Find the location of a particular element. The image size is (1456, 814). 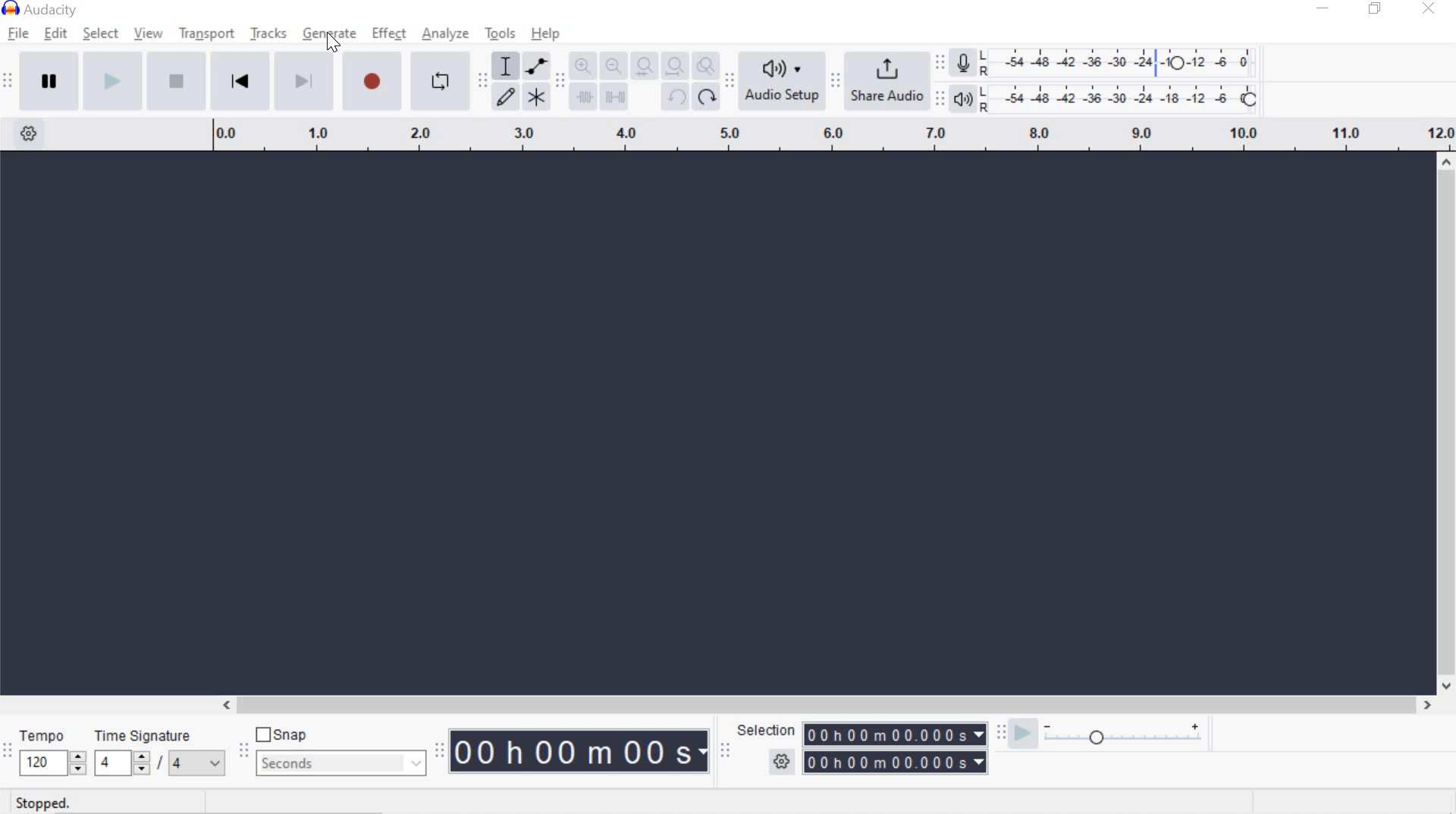

Audio setup toolbar is located at coordinates (727, 81).